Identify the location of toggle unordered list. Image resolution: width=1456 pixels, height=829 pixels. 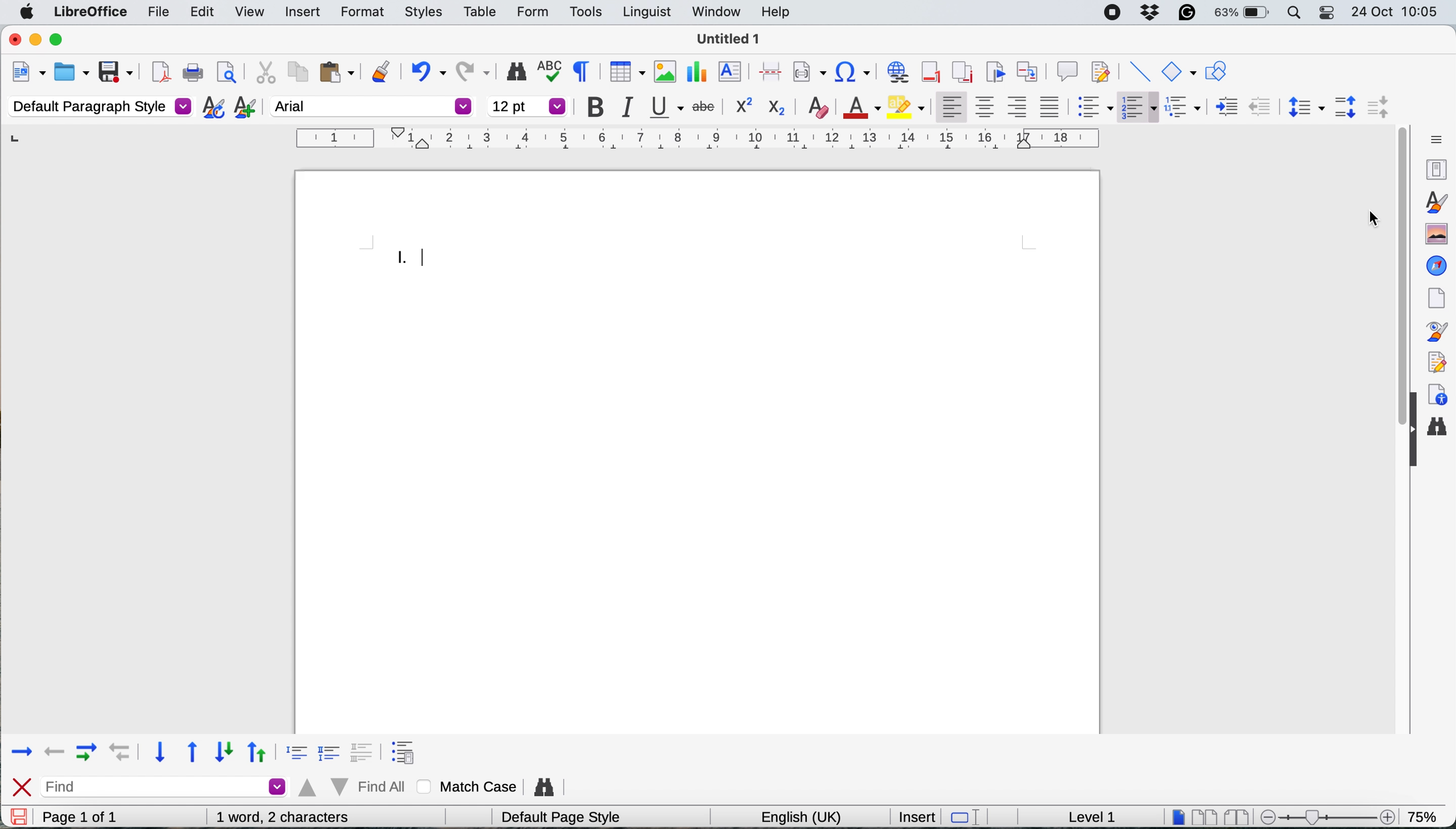
(1096, 109).